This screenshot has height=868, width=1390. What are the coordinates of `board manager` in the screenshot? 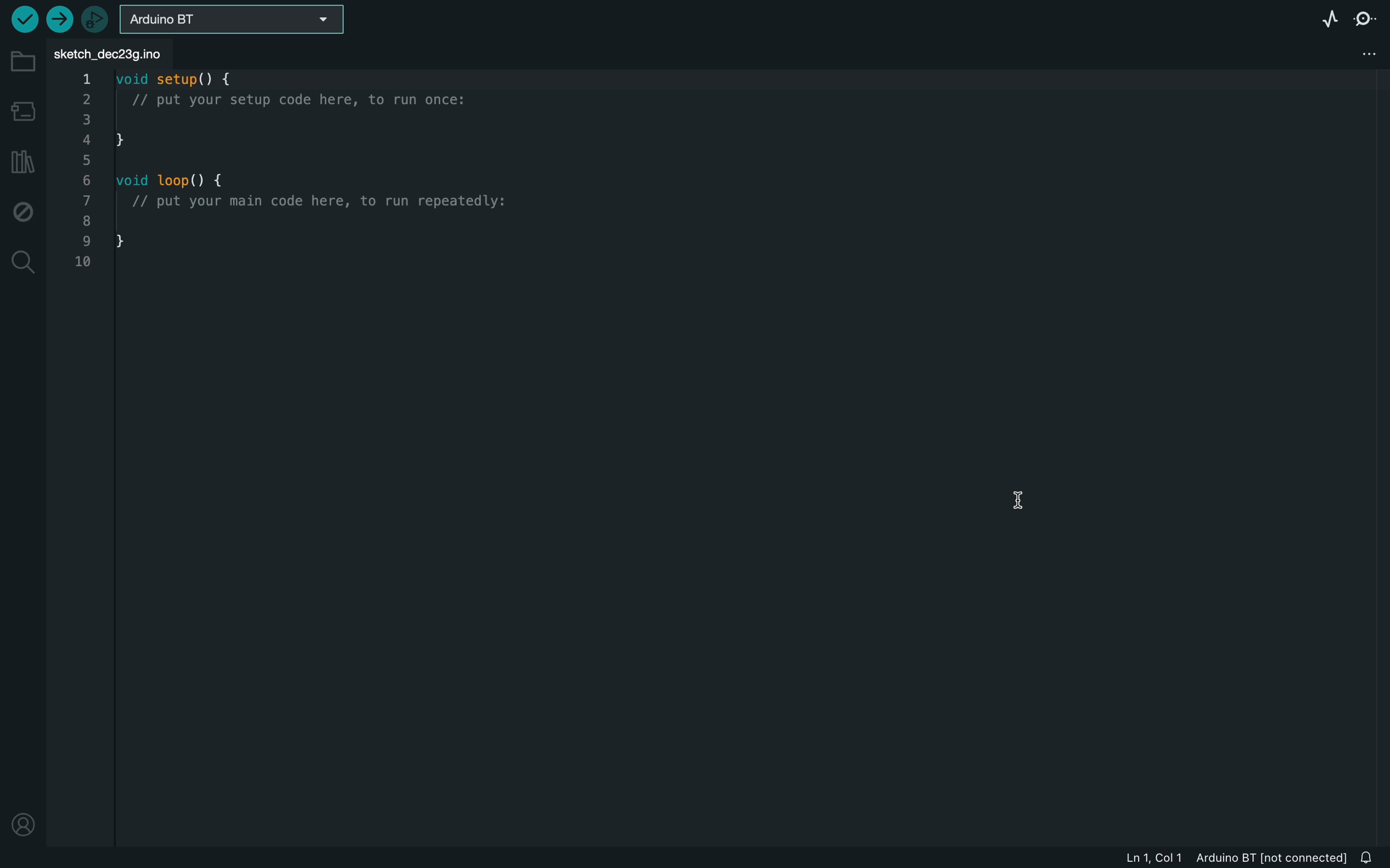 It's located at (25, 114).